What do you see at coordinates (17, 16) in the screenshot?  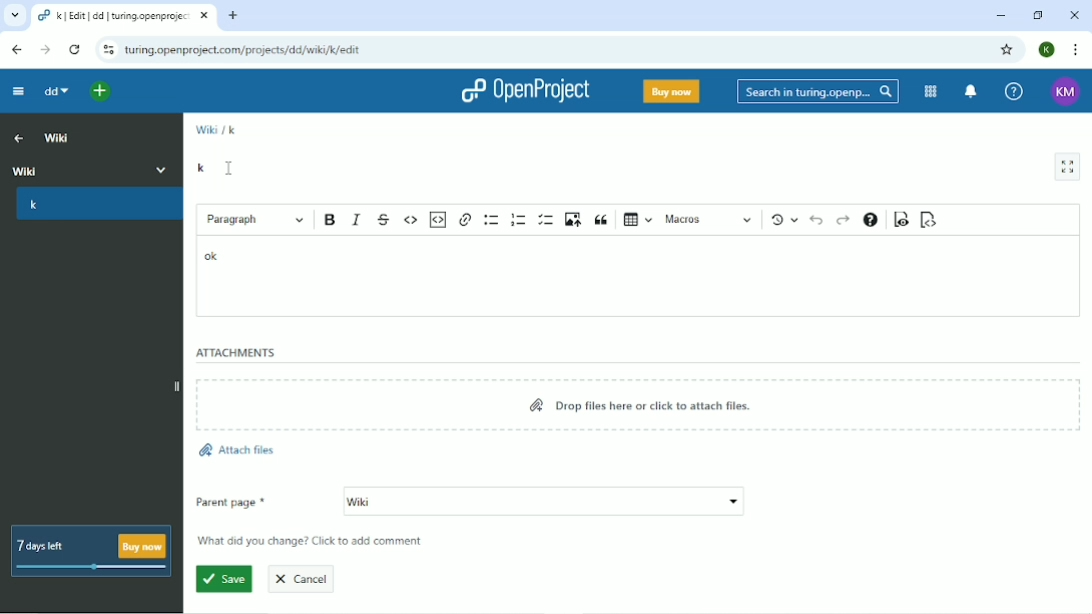 I see `Search tabs` at bounding box center [17, 16].